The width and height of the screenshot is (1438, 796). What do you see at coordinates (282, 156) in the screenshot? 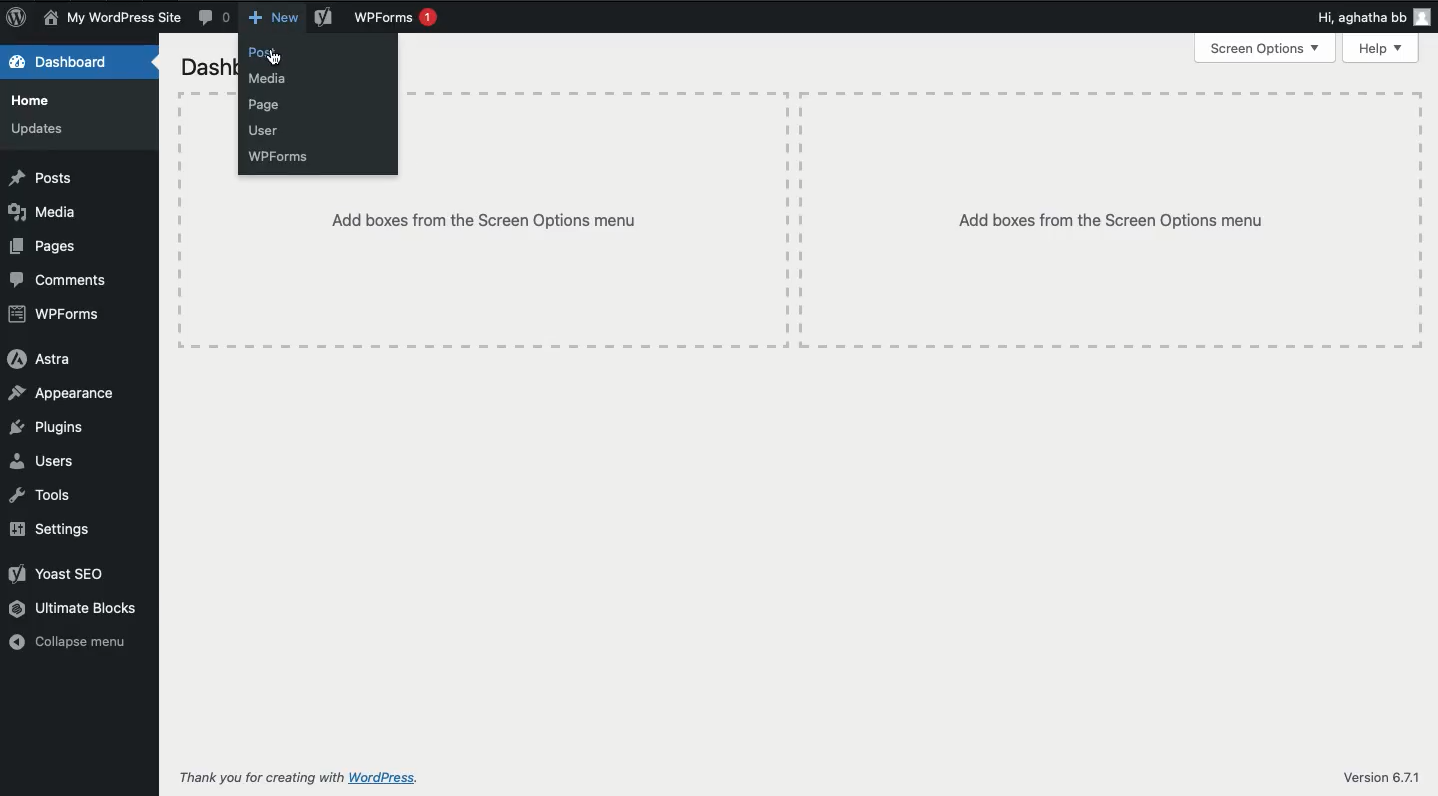
I see `WPForms` at bounding box center [282, 156].